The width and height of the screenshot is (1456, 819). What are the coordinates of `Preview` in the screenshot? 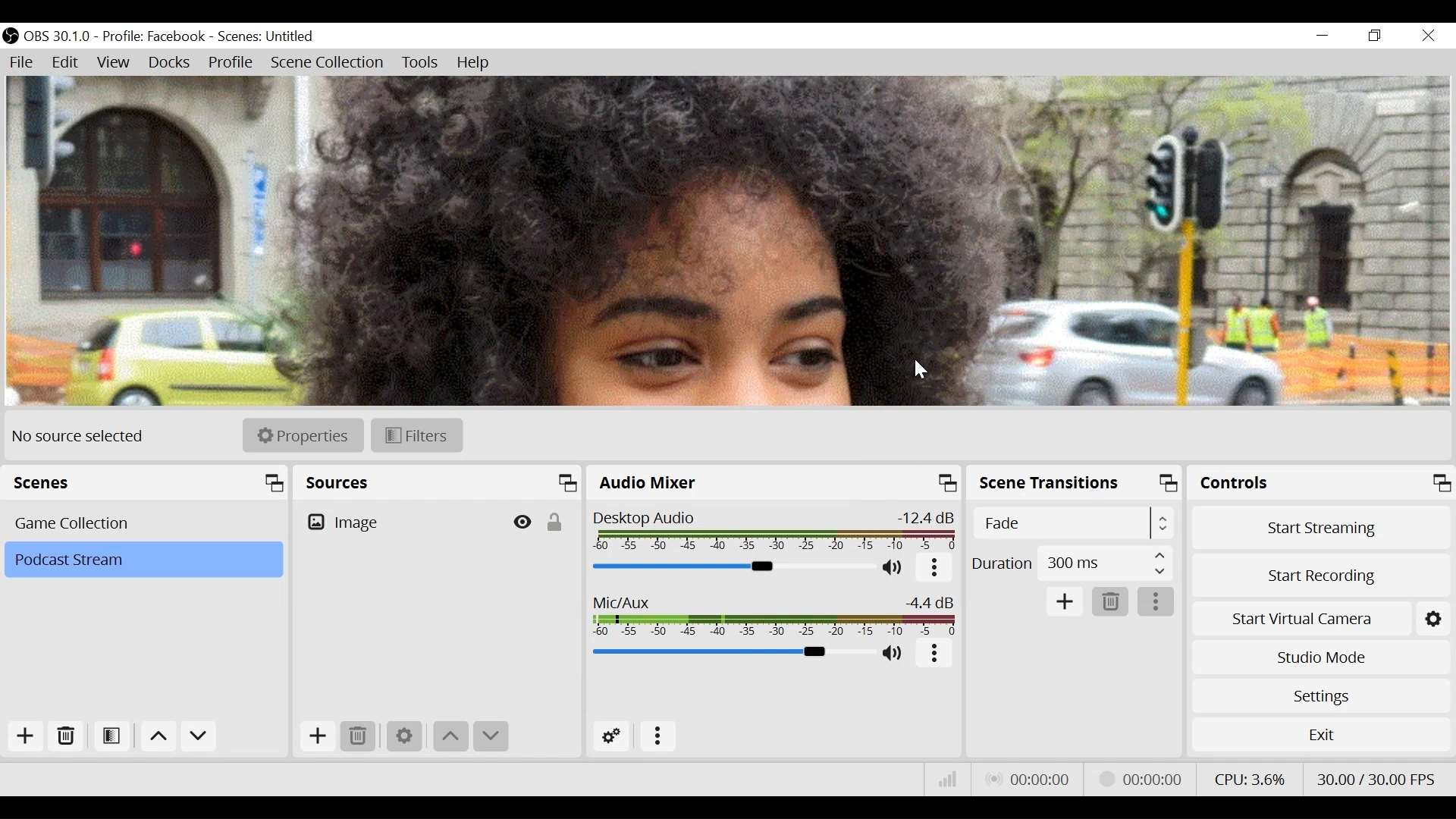 It's located at (723, 243).